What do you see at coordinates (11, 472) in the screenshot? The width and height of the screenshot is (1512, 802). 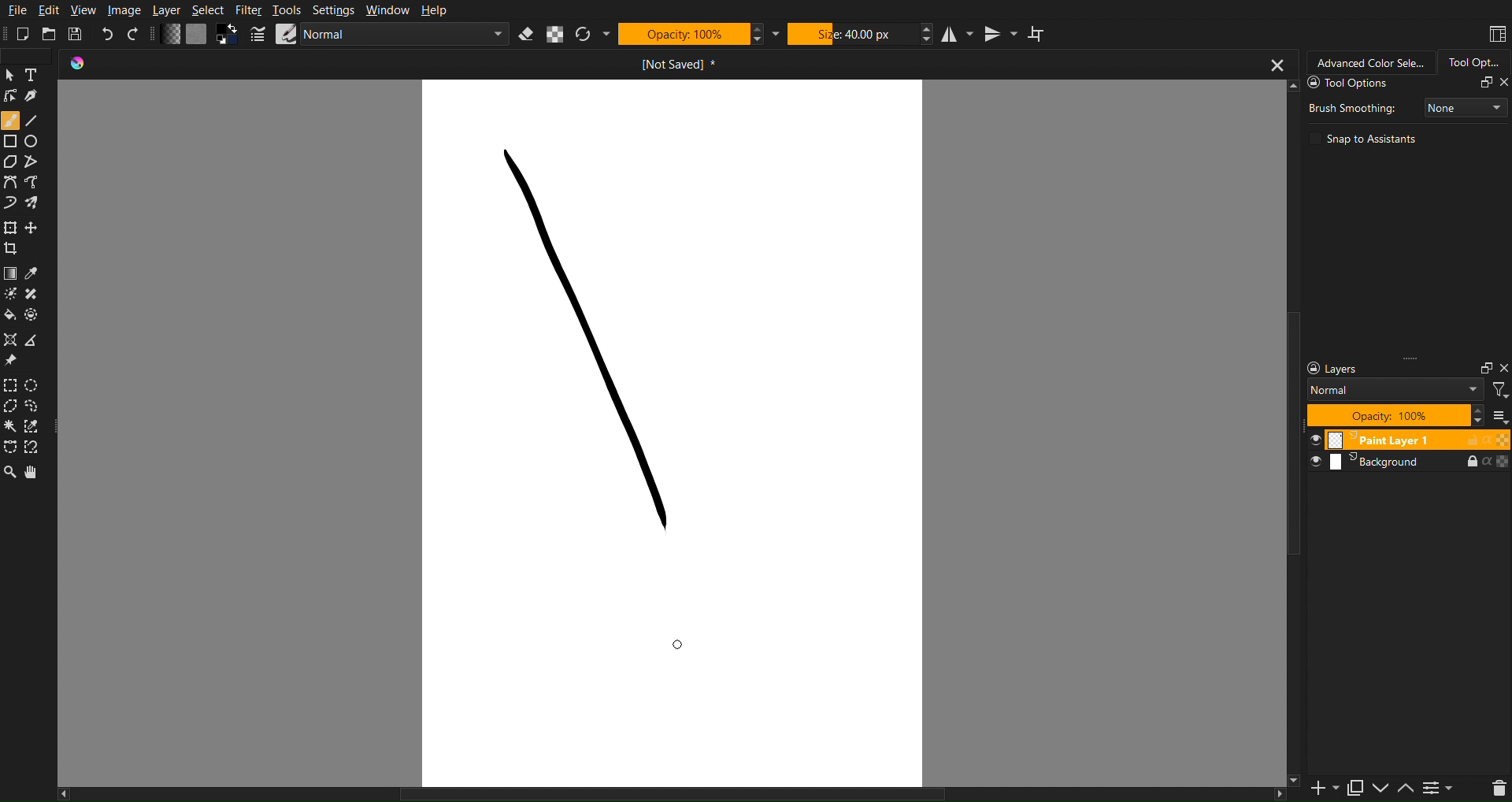 I see `Zoom` at bounding box center [11, 472].